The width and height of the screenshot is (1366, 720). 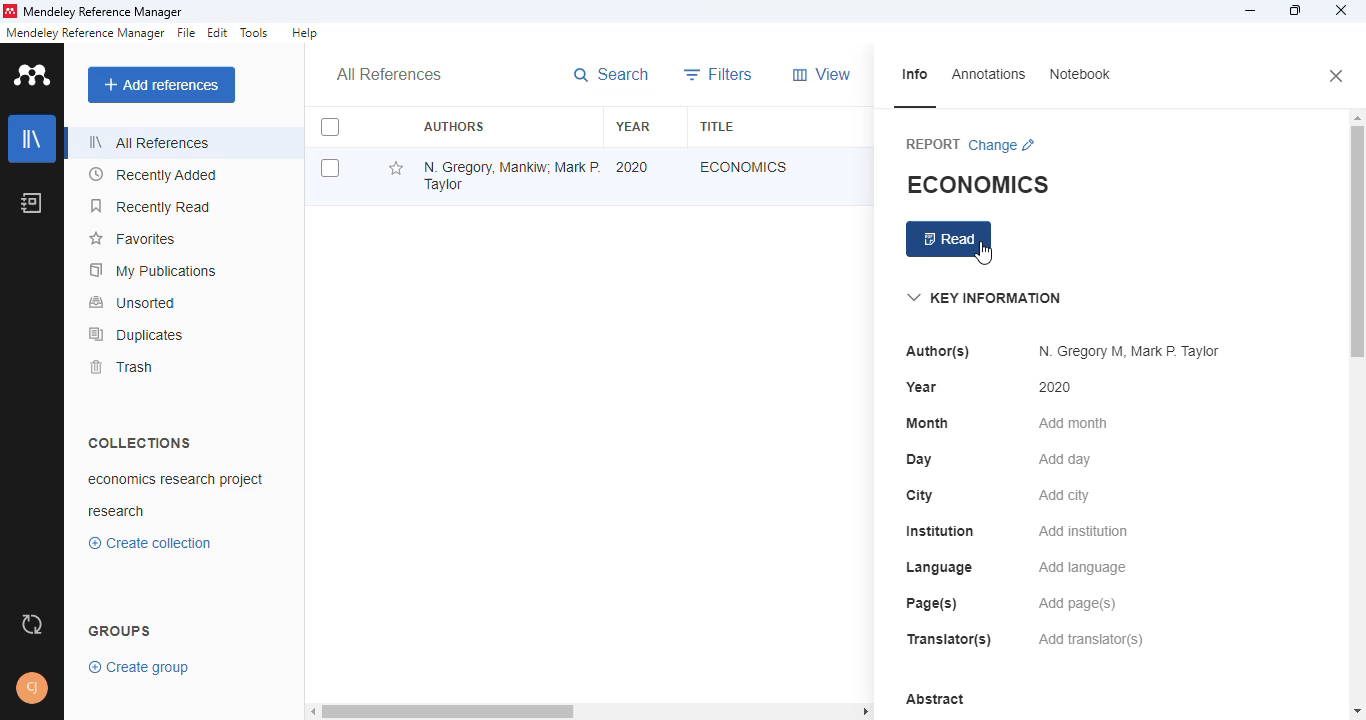 I want to click on read, so click(x=949, y=239).